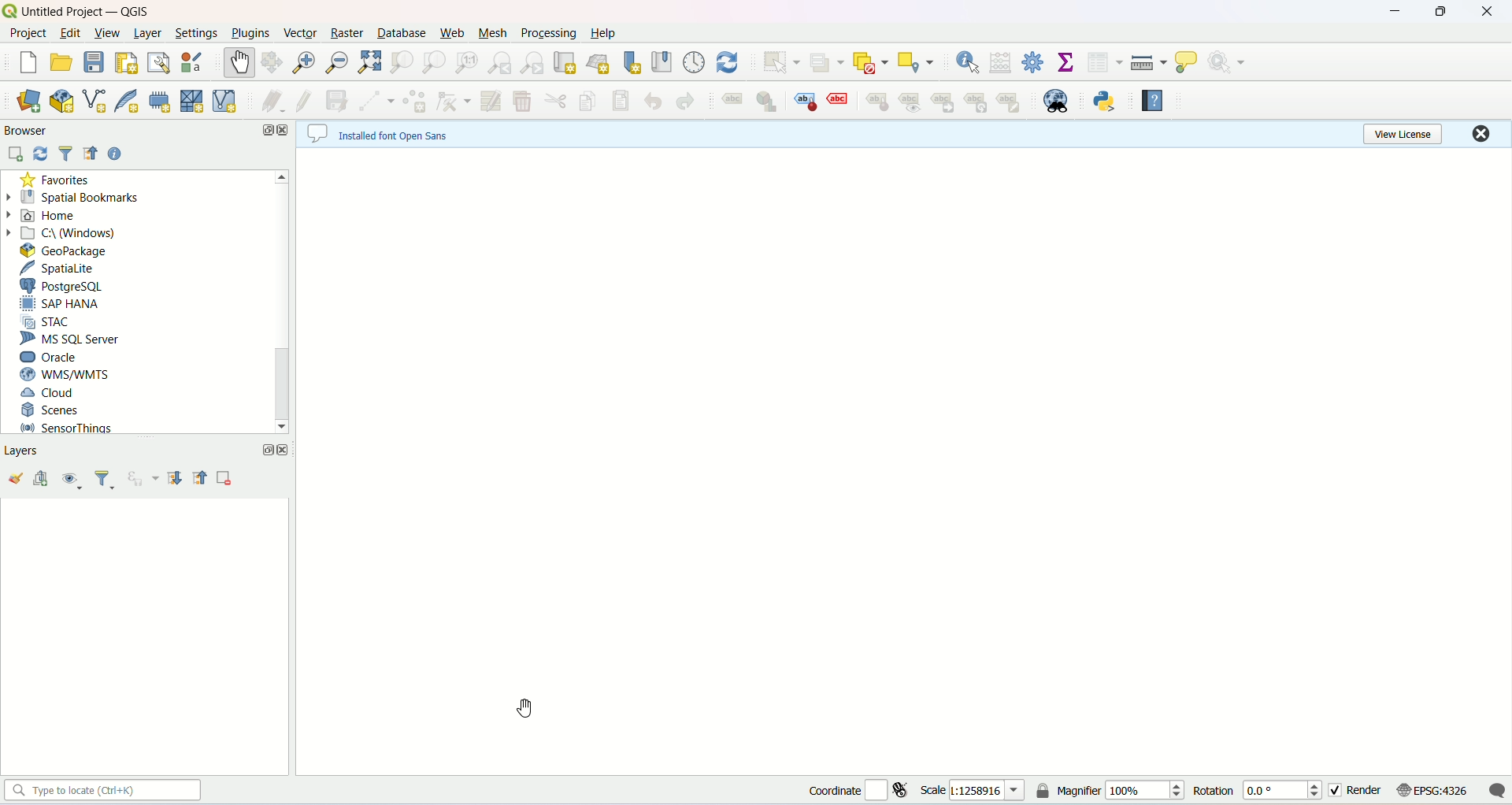  Describe the element at coordinates (227, 482) in the screenshot. I see `remove layer` at that location.